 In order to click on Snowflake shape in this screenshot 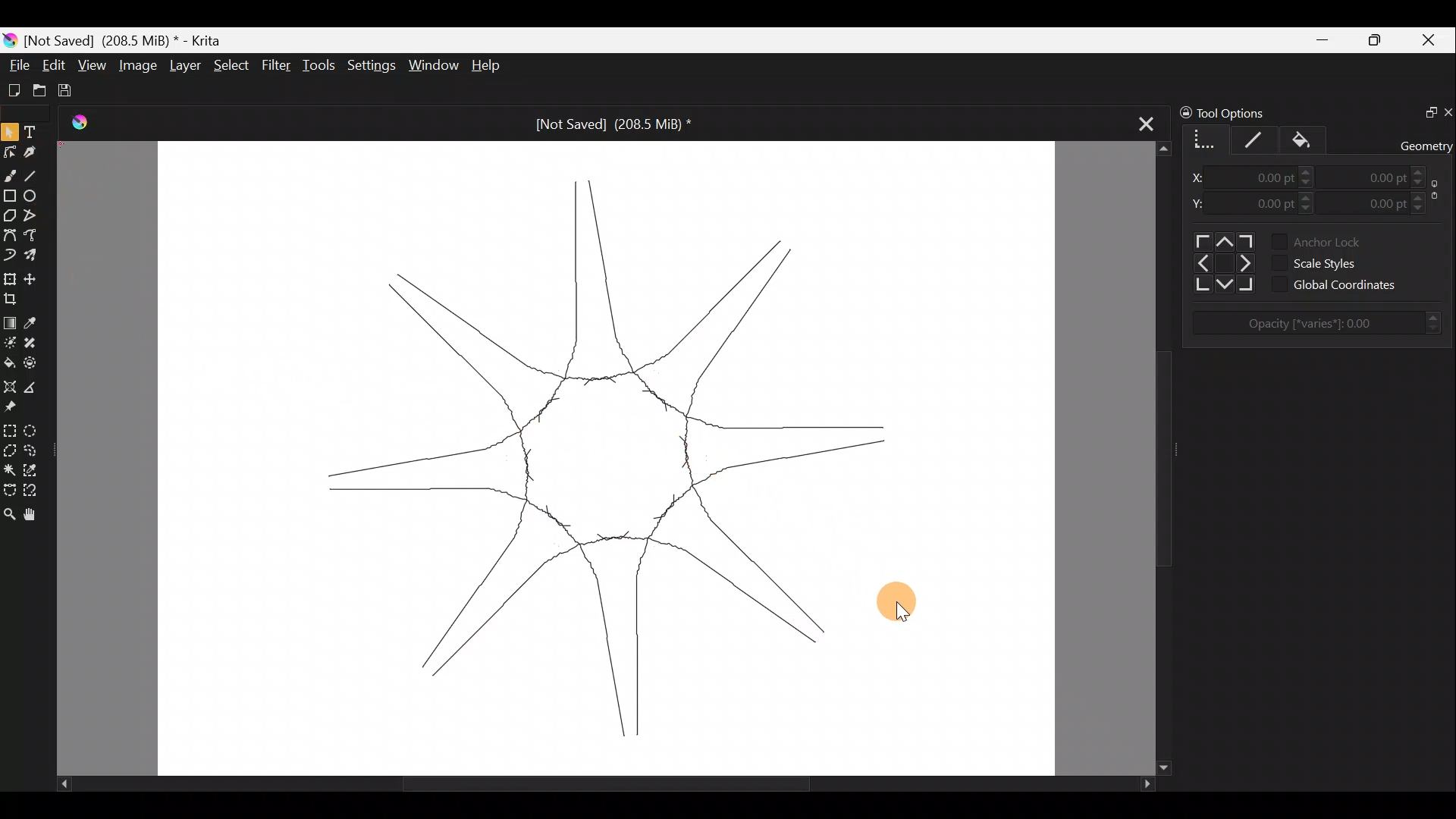, I will do `click(615, 455)`.